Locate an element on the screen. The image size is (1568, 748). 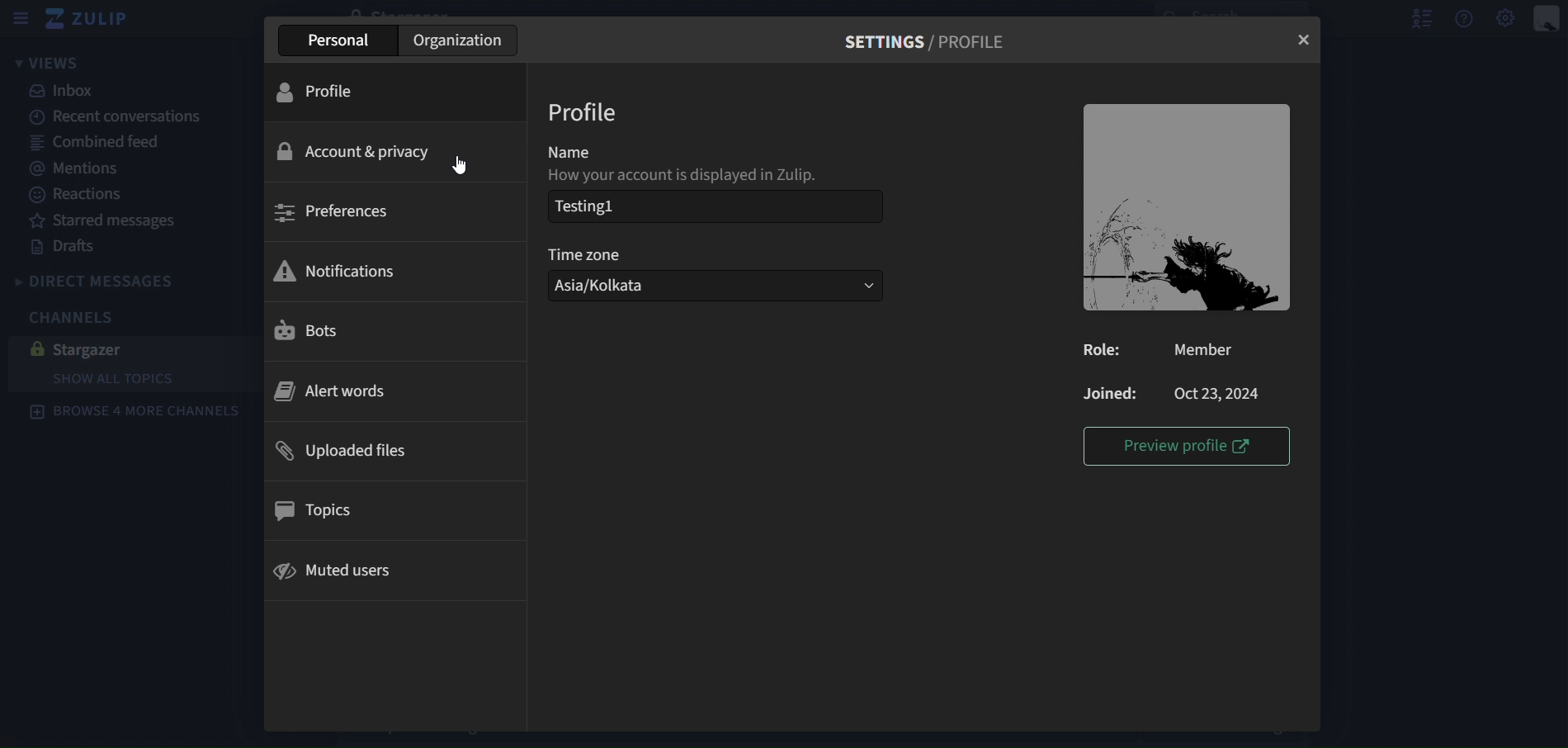
channels is located at coordinates (73, 317).